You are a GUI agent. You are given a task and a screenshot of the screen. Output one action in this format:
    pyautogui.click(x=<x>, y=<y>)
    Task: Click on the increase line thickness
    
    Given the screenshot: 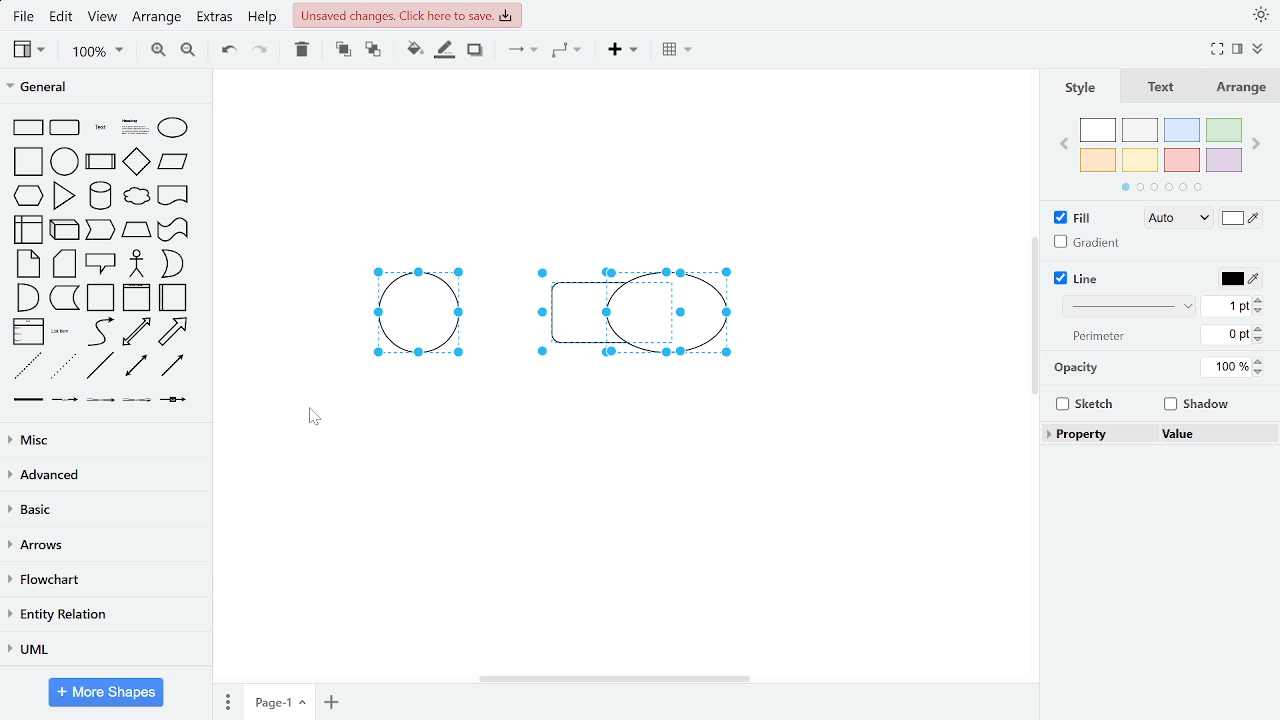 What is the action you would take?
    pyautogui.click(x=1261, y=299)
    